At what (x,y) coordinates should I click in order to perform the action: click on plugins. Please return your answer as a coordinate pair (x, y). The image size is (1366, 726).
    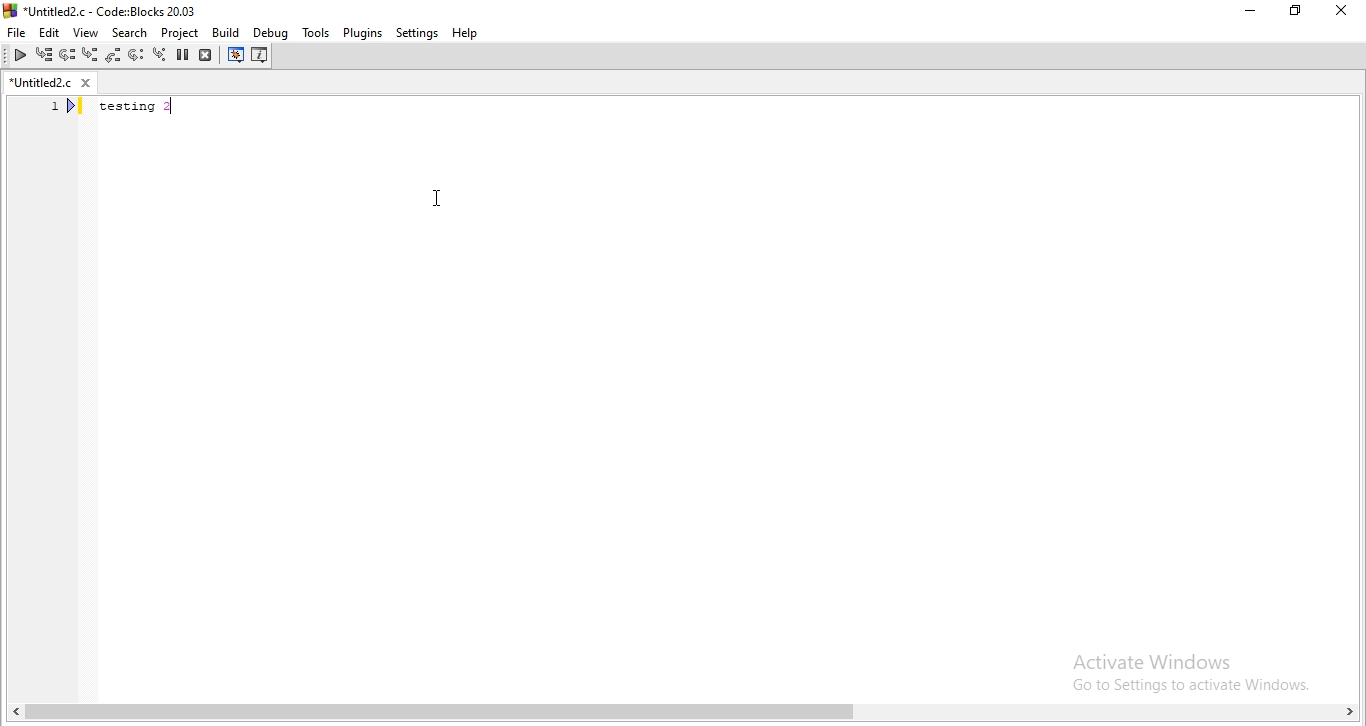
    Looking at the image, I should click on (362, 32).